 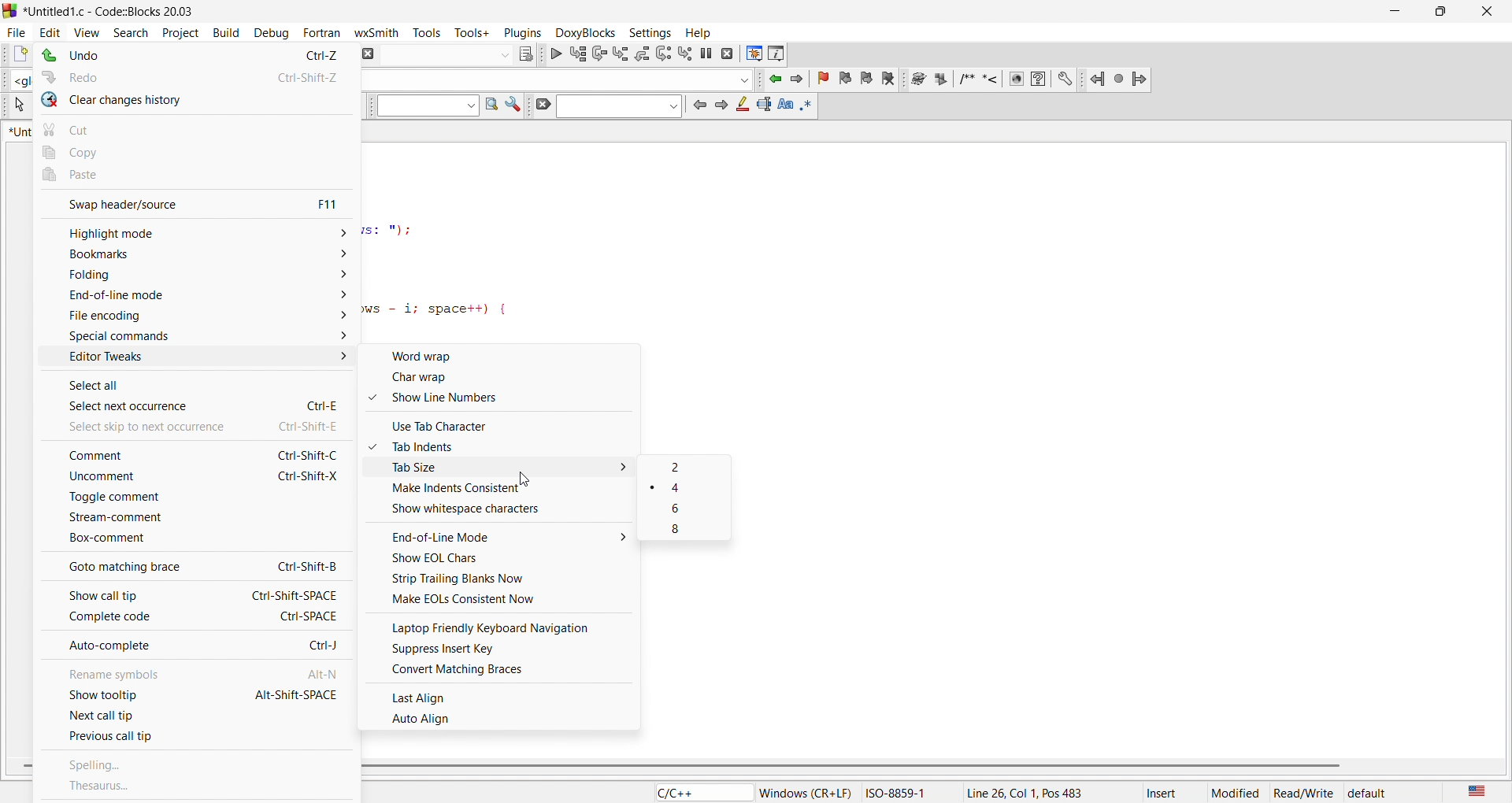 What do you see at coordinates (689, 792) in the screenshot?
I see `file type` at bounding box center [689, 792].